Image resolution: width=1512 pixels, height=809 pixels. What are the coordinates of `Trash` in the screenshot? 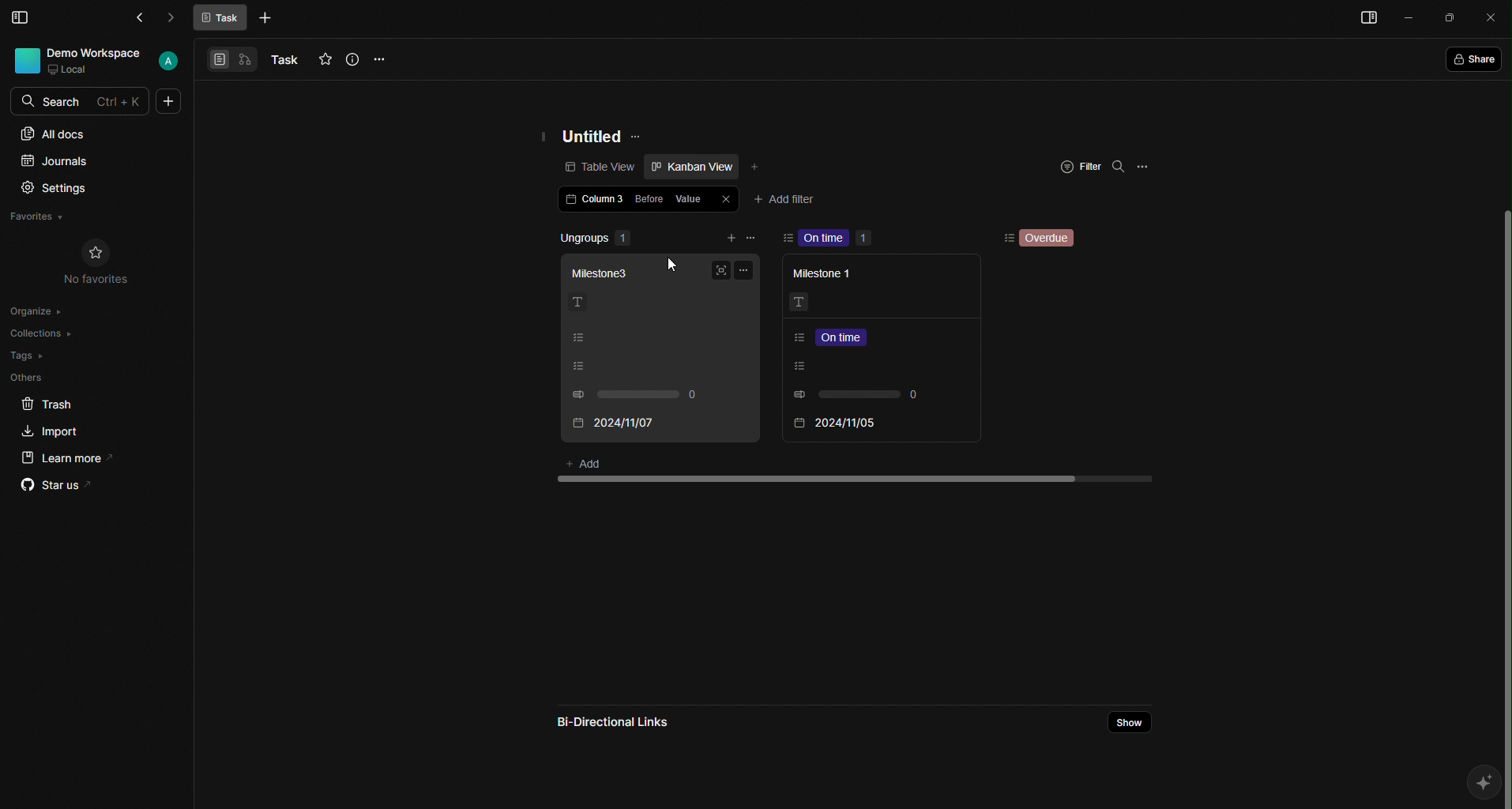 It's located at (47, 403).